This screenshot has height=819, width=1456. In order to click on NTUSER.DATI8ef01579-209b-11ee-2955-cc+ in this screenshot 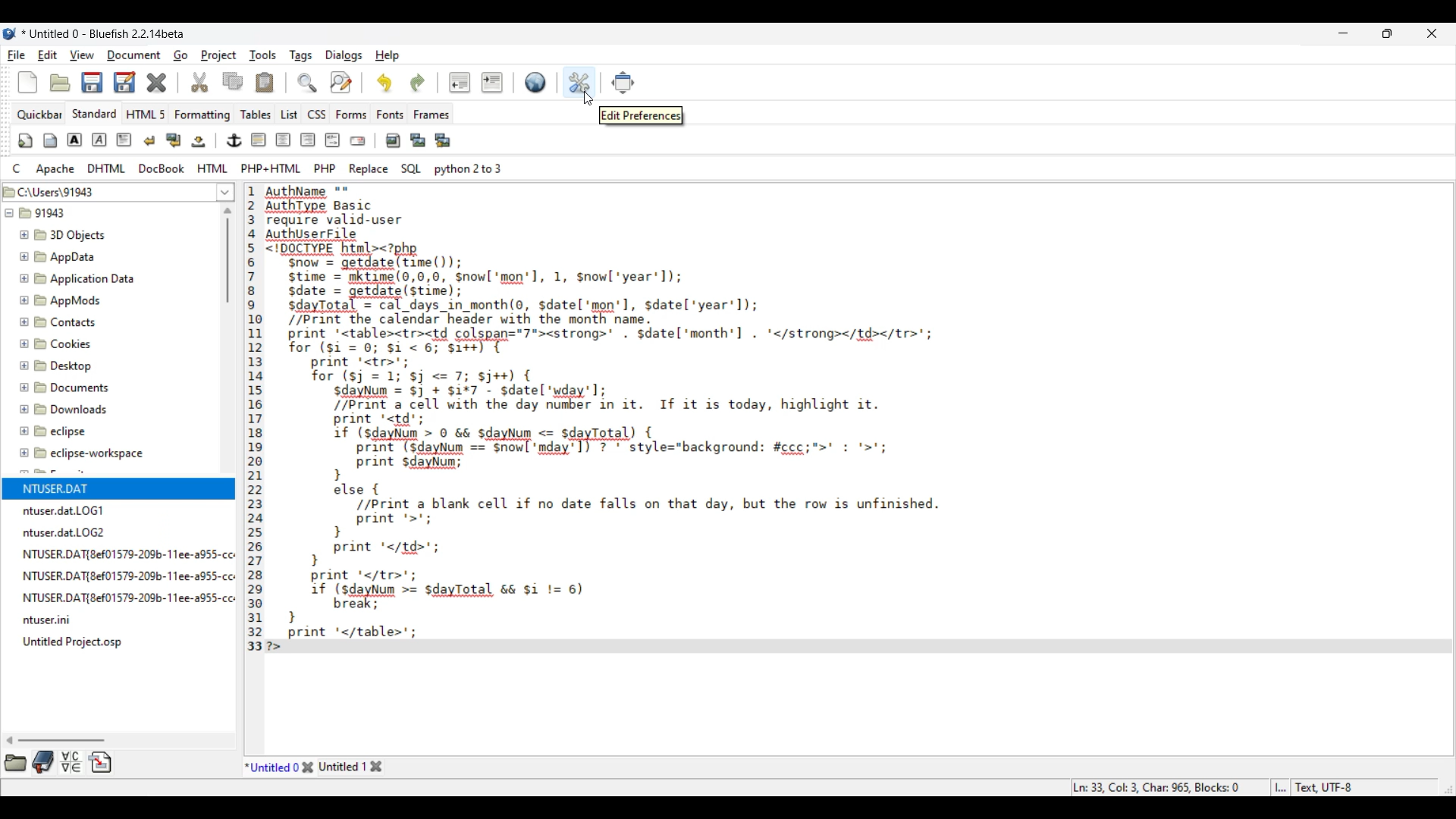, I will do `click(127, 573)`.